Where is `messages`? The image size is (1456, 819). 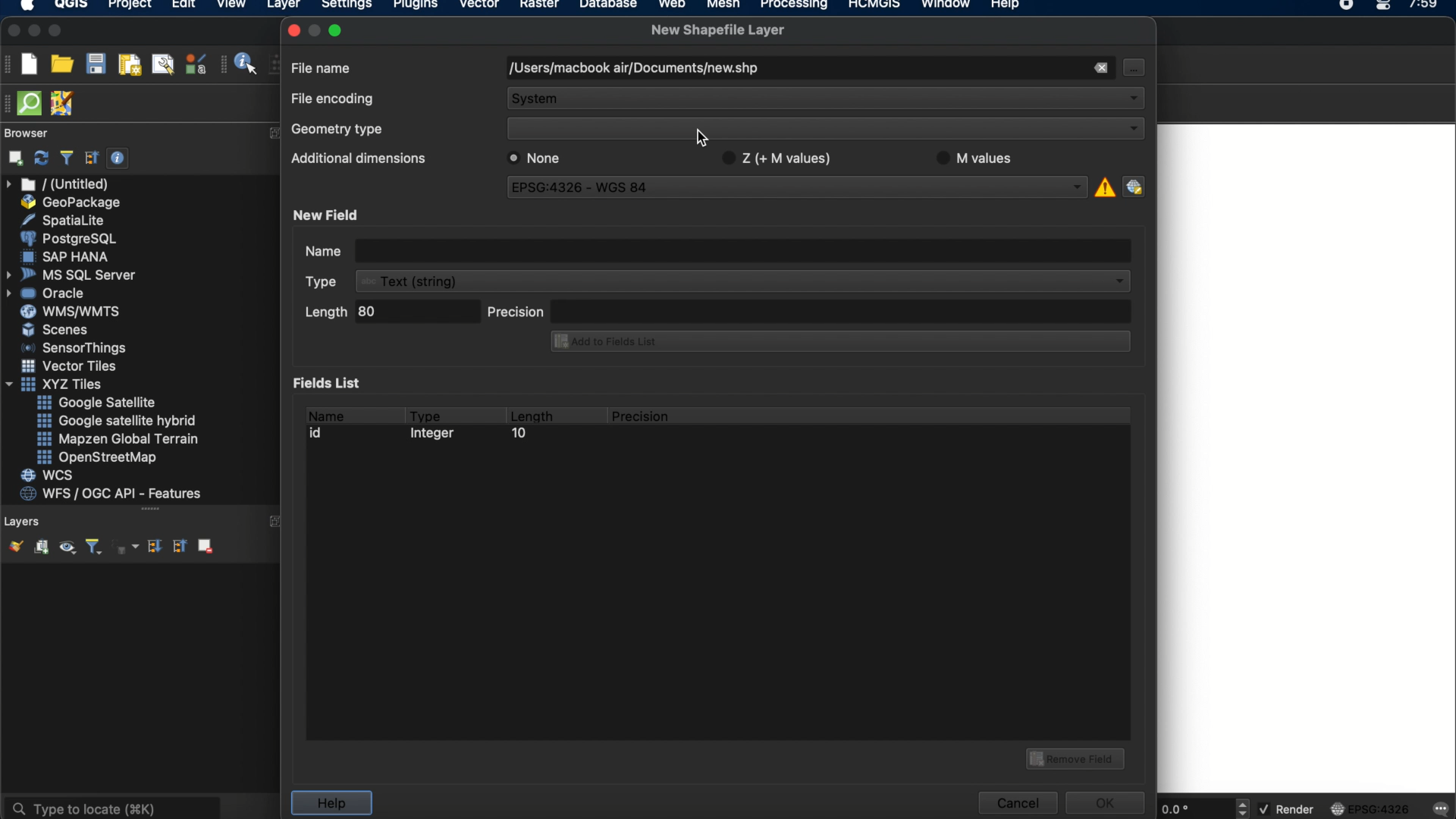
messages is located at coordinates (1439, 810).